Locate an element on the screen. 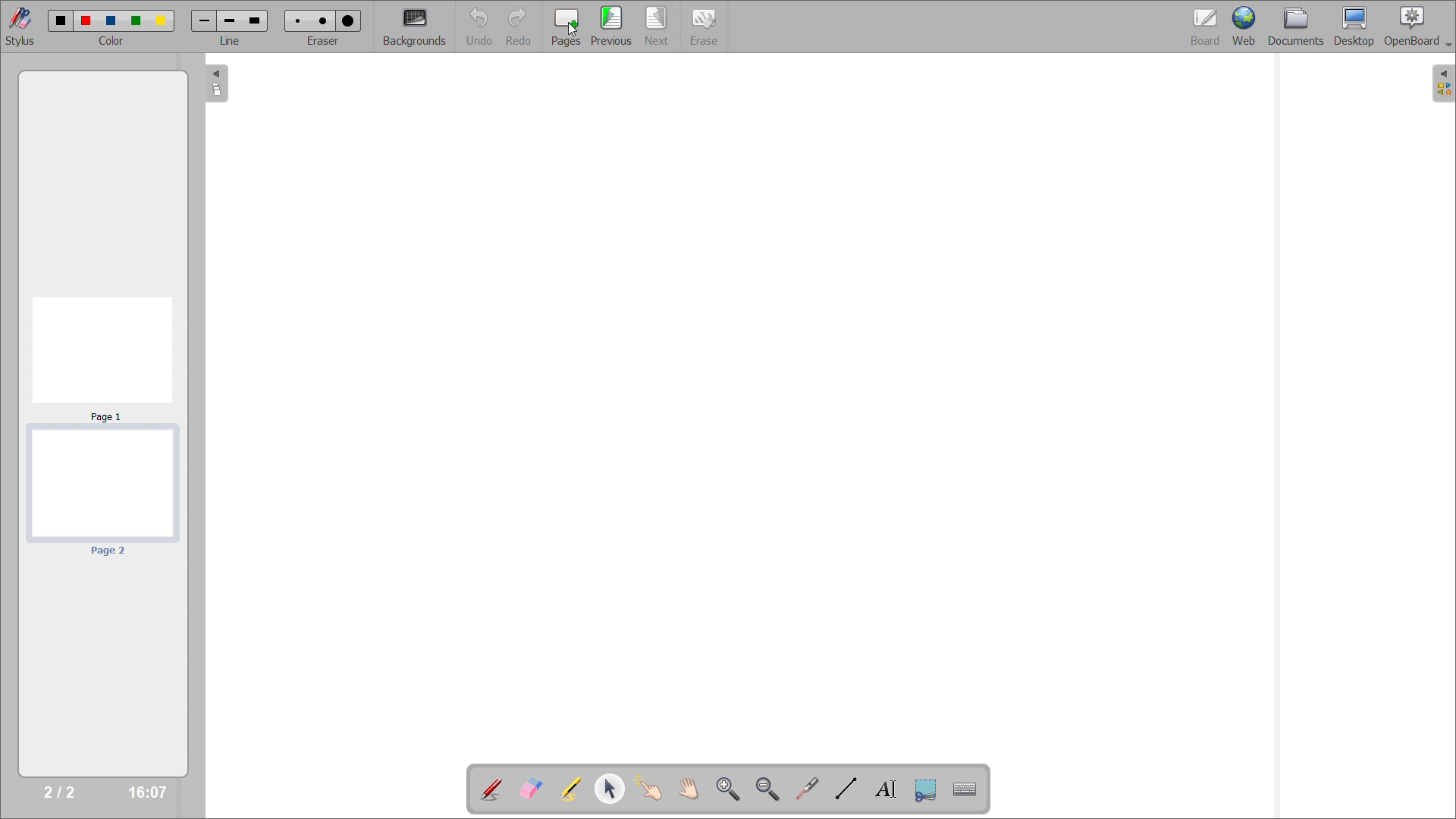  add annotations is located at coordinates (490, 789).